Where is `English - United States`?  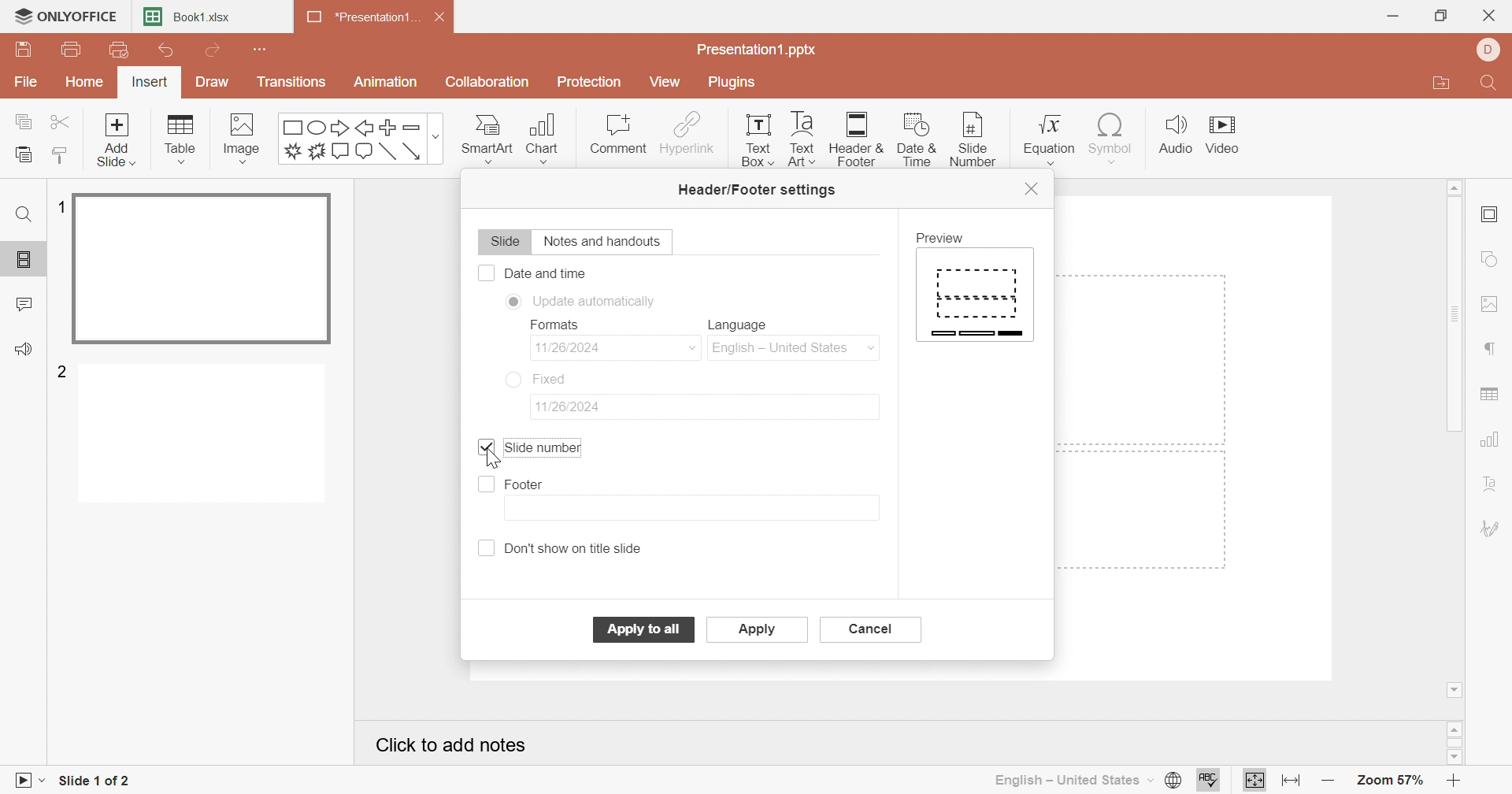
English - United States is located at coordinates (1072, 780).